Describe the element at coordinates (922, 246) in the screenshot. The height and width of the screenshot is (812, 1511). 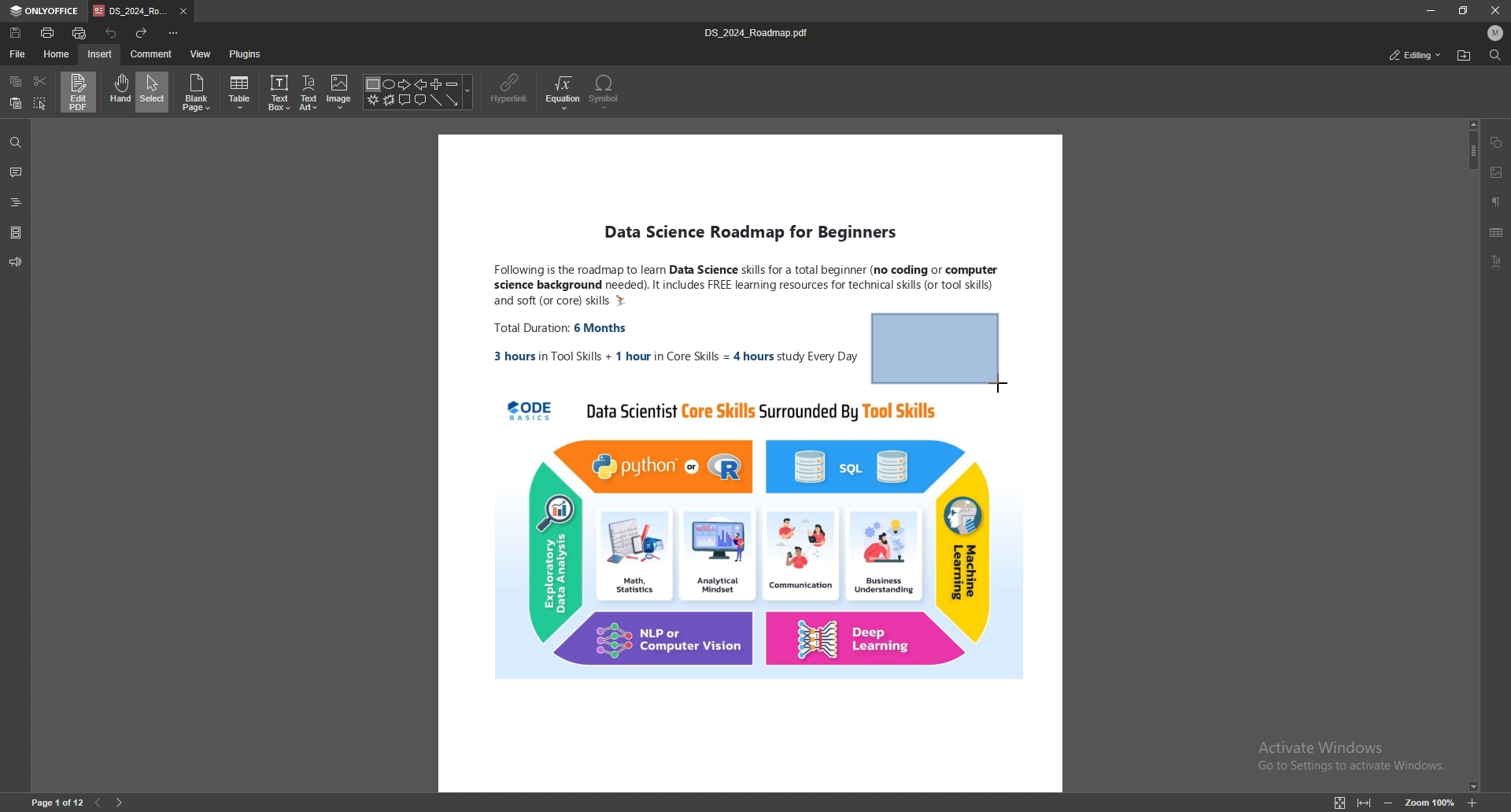
I see `pdf text` at that location.